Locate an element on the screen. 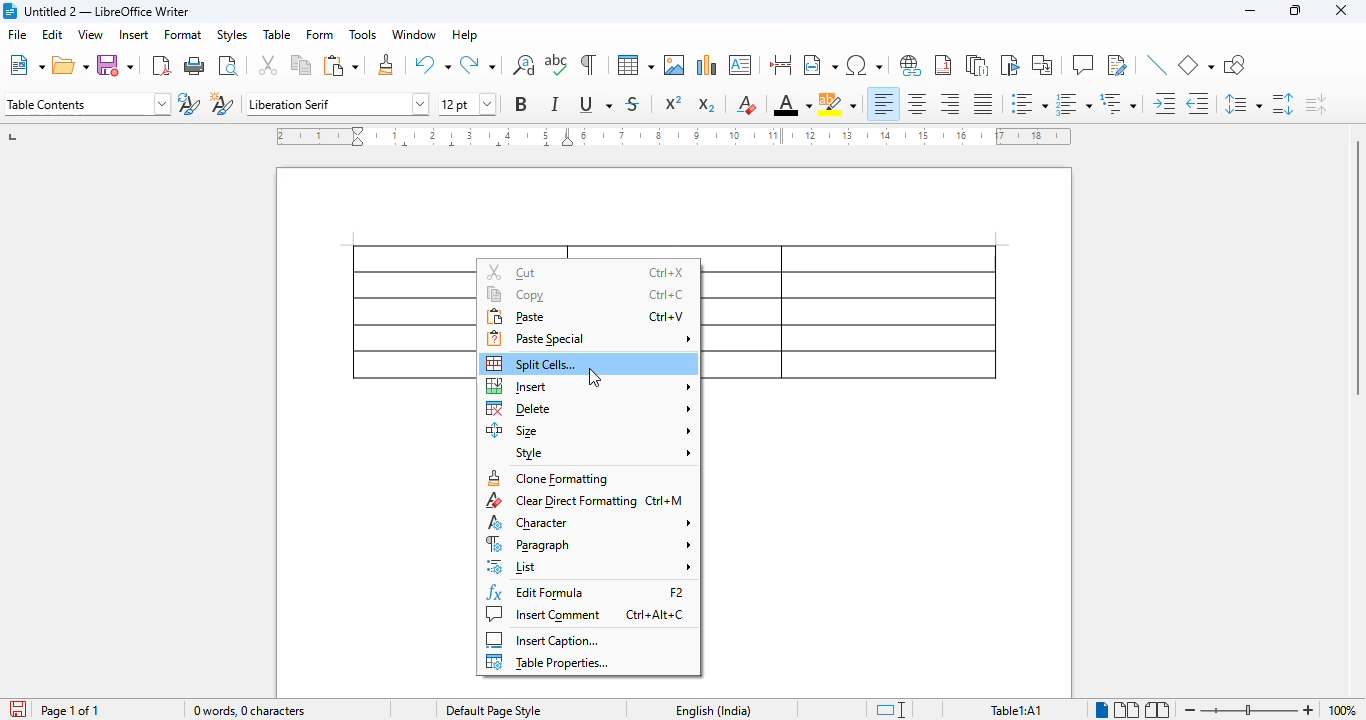 The width and height of the screenshot is (1366, 720). increase indent is located at coordinates (1165, 103).